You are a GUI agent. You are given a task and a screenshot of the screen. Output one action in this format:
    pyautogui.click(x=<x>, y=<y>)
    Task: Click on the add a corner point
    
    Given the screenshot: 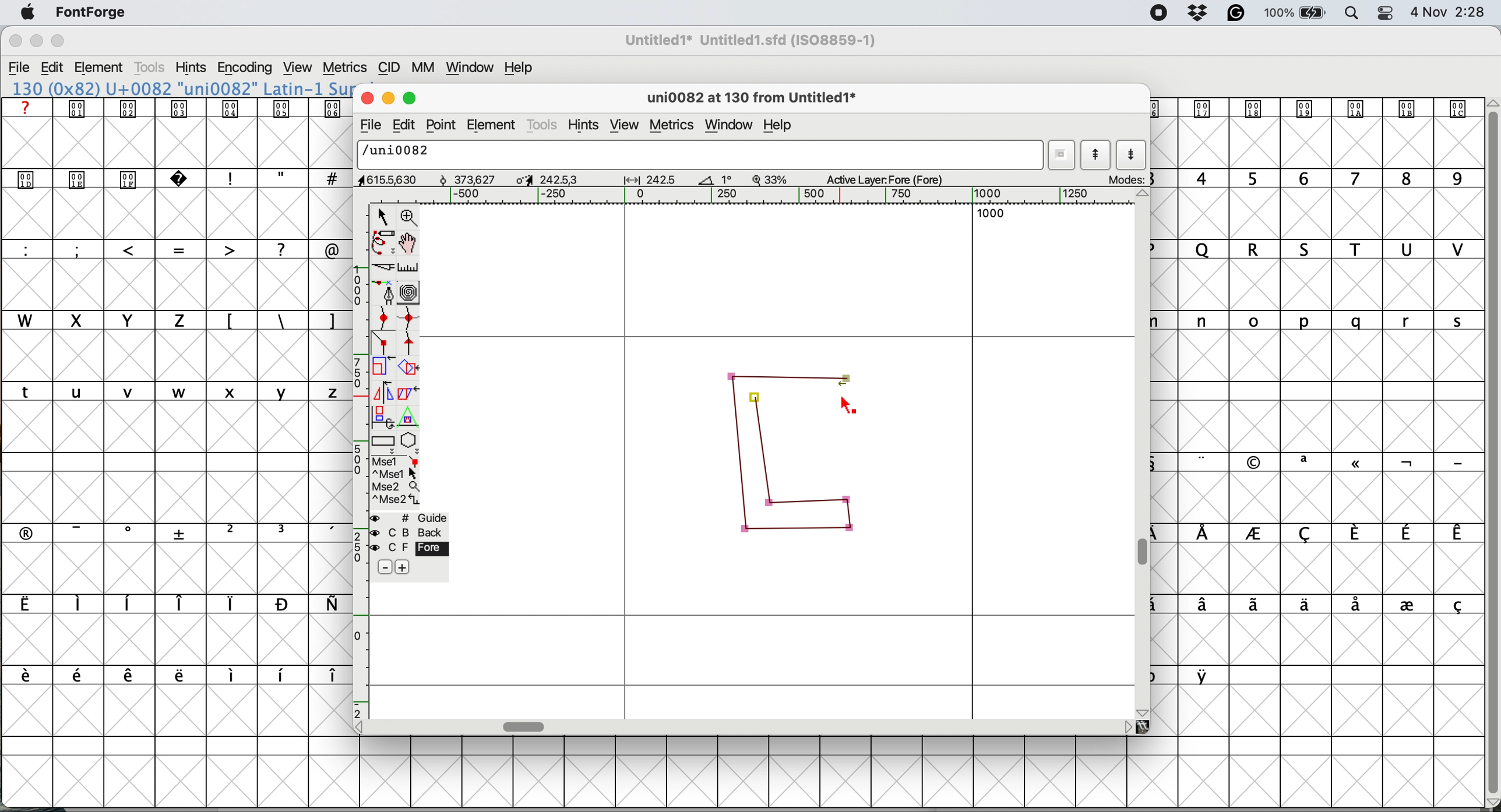 What is the action you would take?
    pyautogui.click(x=383, y=344)
    